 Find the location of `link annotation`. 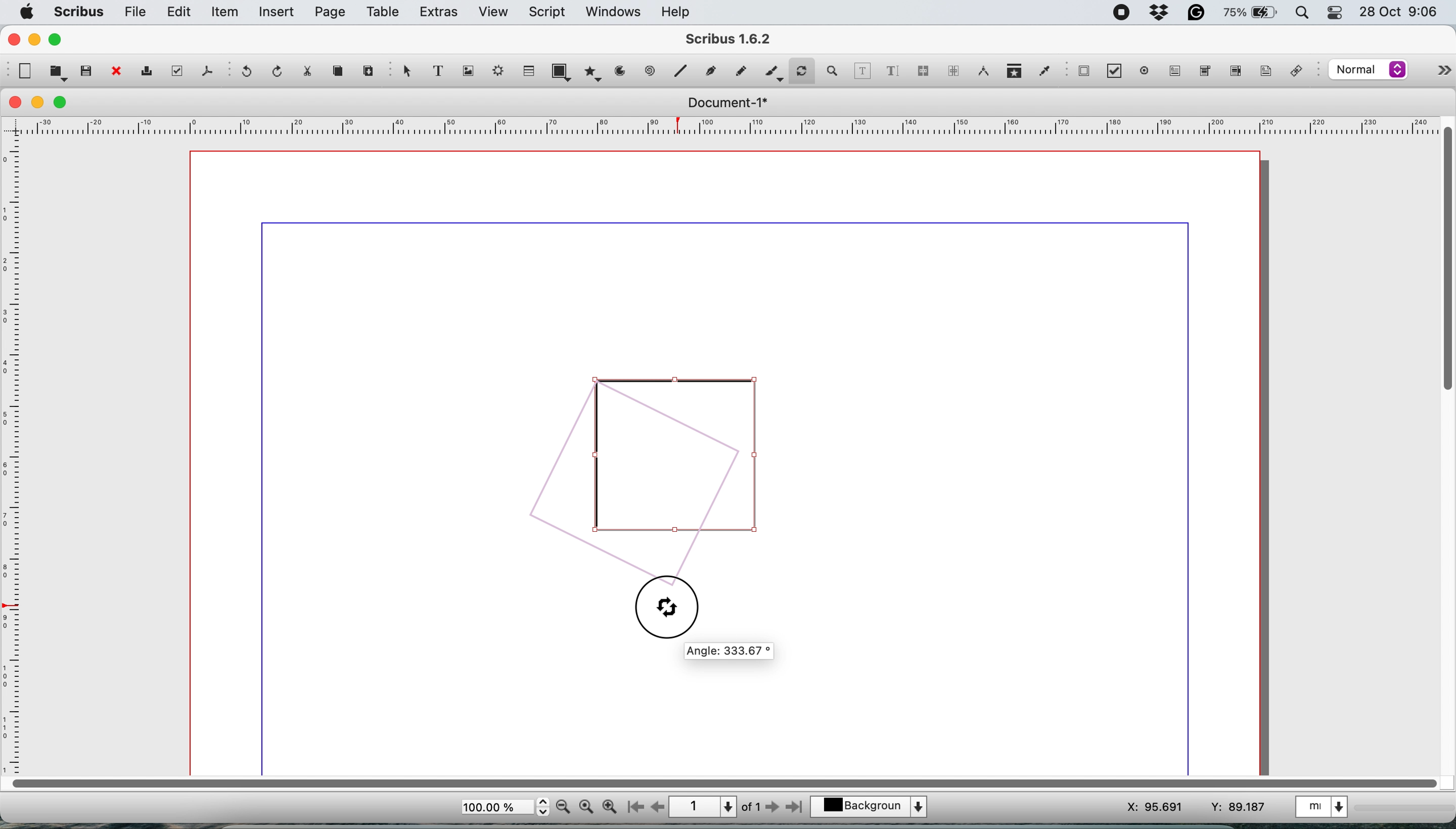

link annotation is located at coordinates (1301, 71).